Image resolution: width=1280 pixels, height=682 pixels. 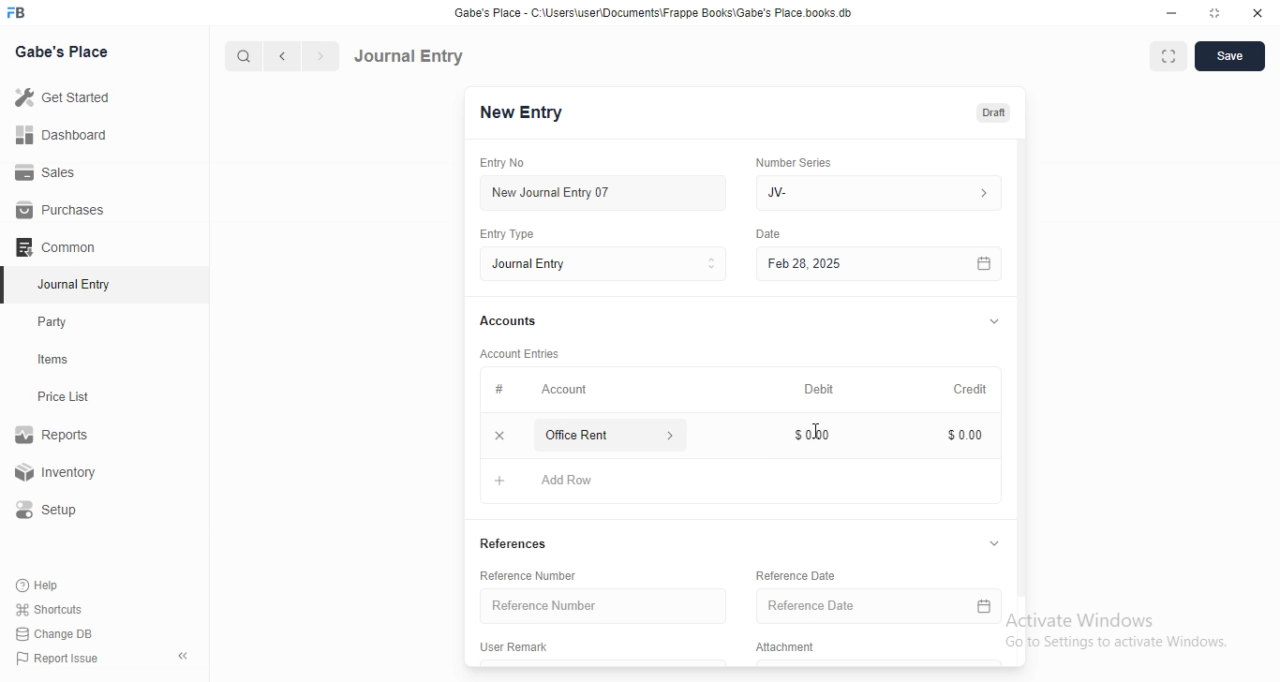 I want to click on ‘Change DB, so click(x=55, y=634).